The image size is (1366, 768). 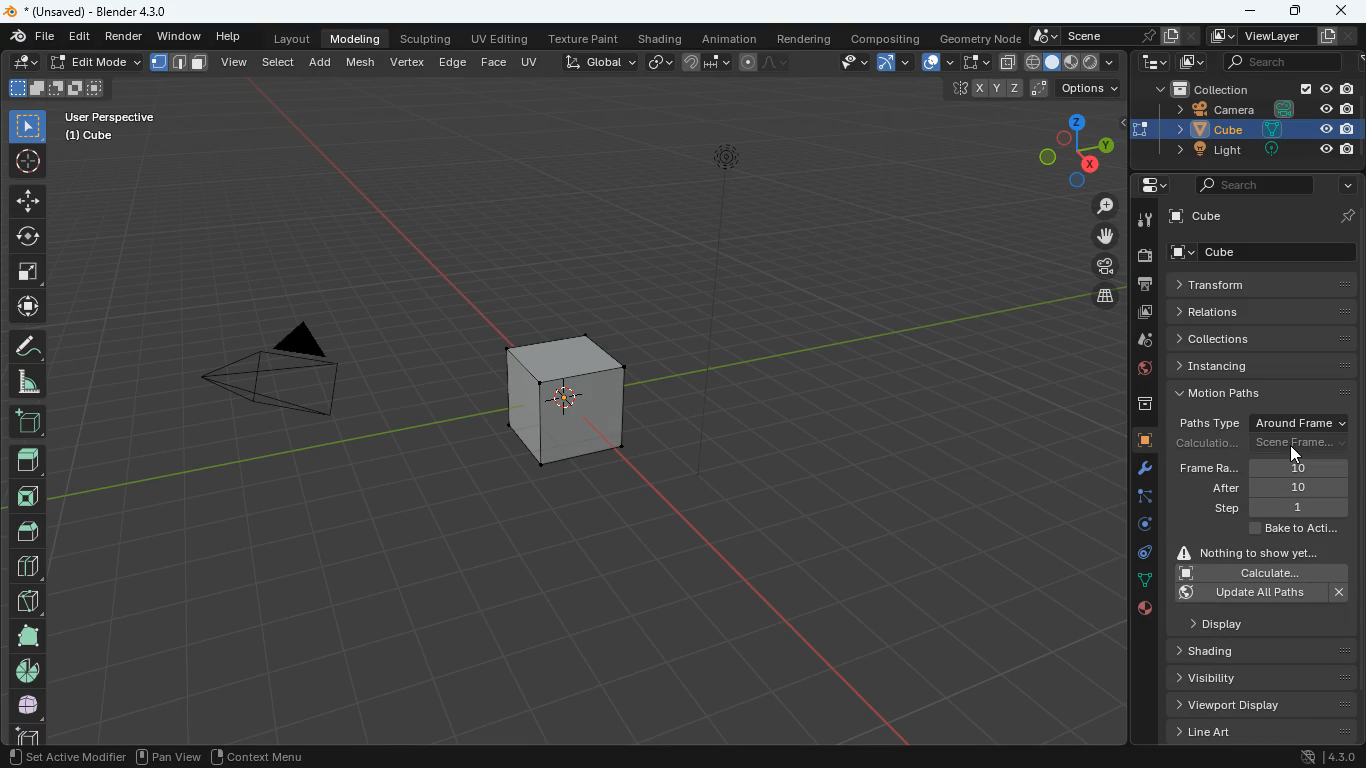 What do you see at coordinates (452, 61) in the screenshot?
I see `edge` at bounding box center [452, 61].